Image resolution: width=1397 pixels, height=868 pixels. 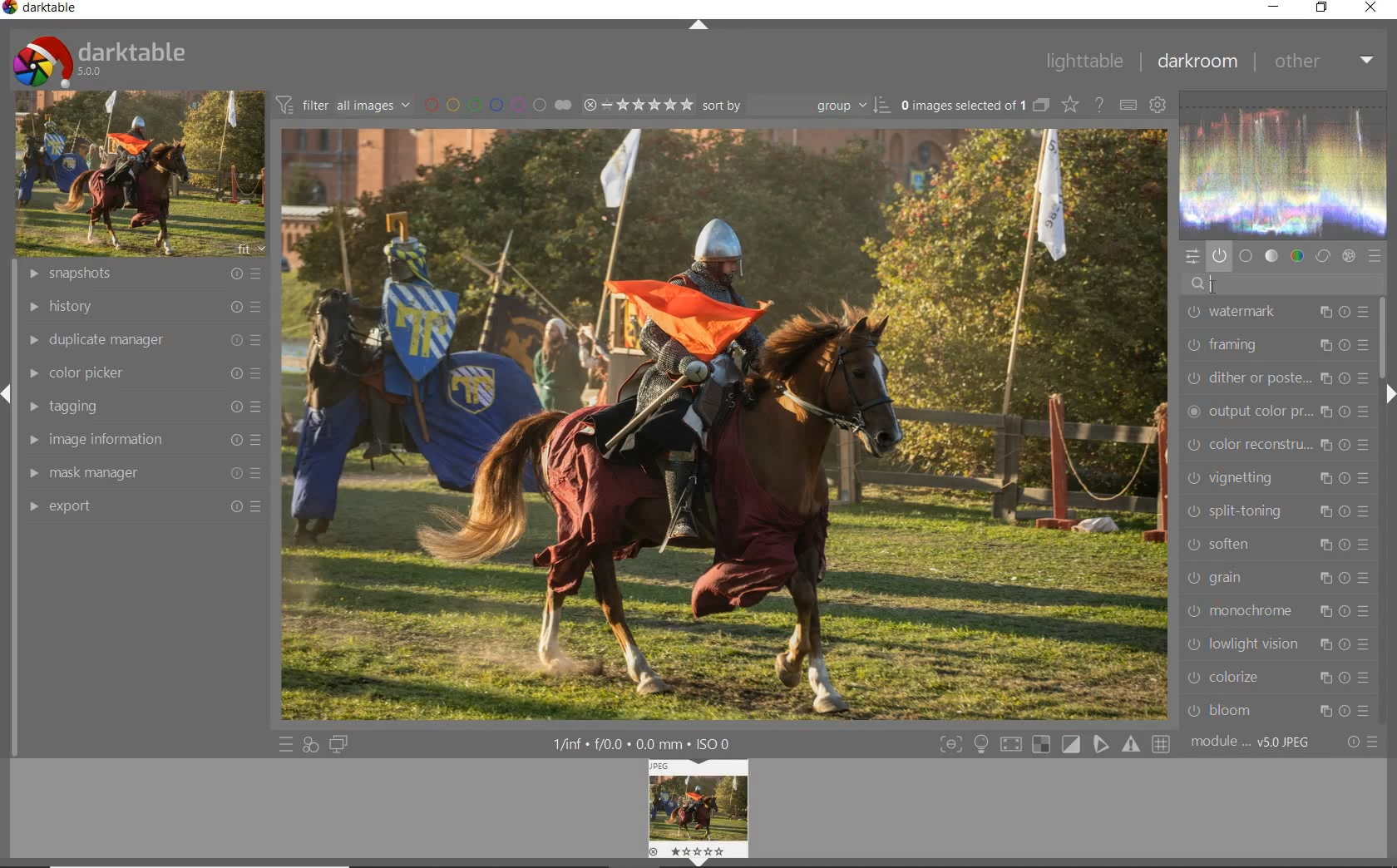 What do you see at coordinates (722, 422) in the screenshot?
I see `selected image` at bounding box center [722, 422].